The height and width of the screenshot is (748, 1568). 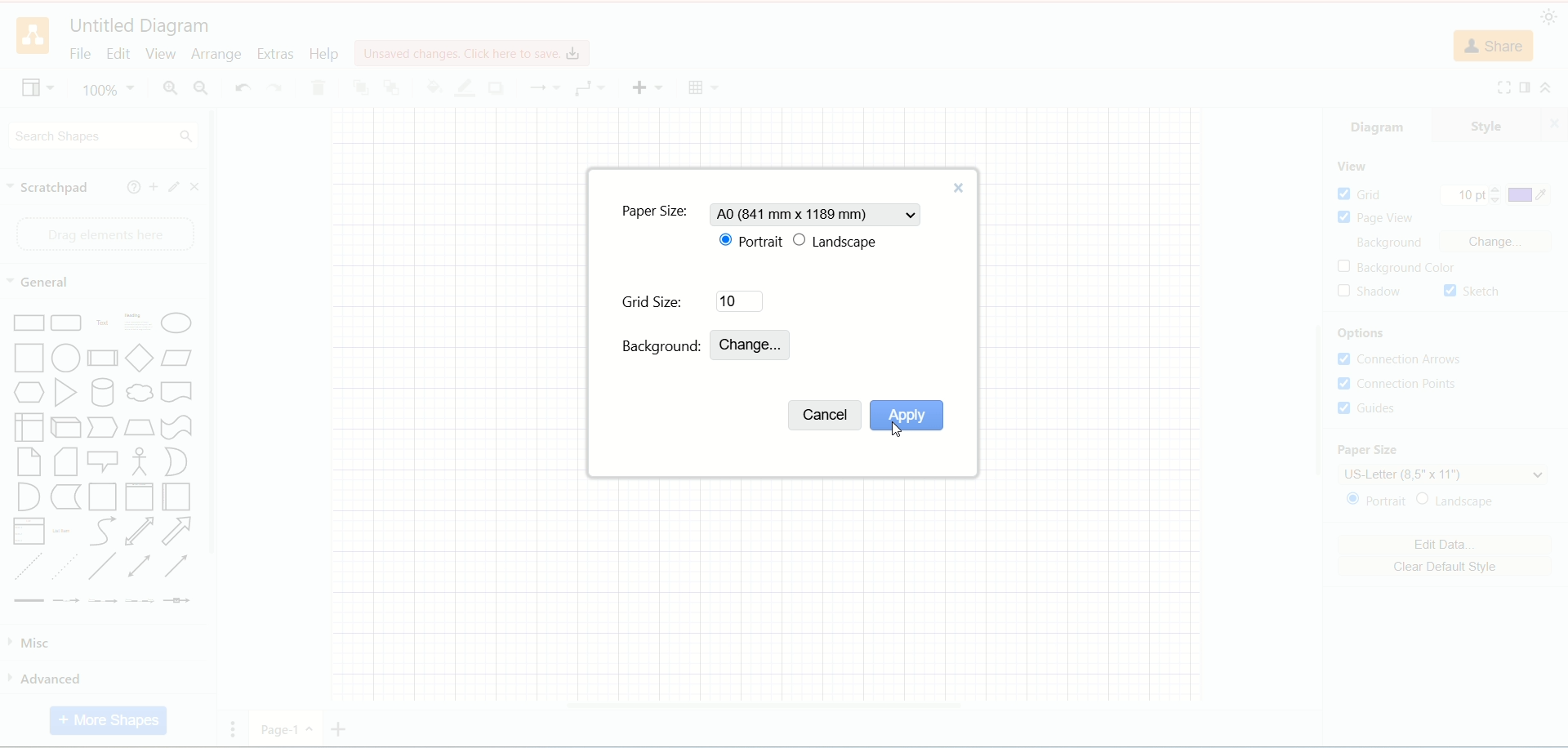 I want to click on Line, so click(x=103, y=567).